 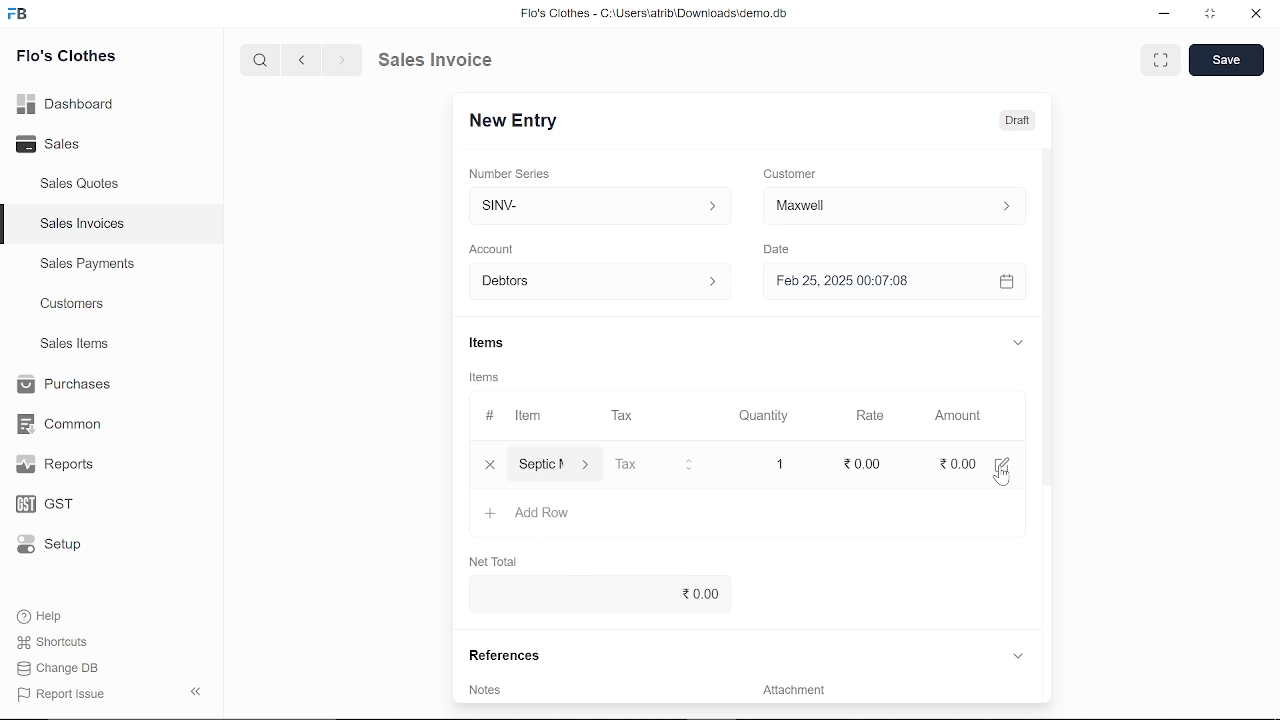 What do you see at coordinates (623, 417) in the screenshot?
I see `Tax` at bounding box center [623, 417].